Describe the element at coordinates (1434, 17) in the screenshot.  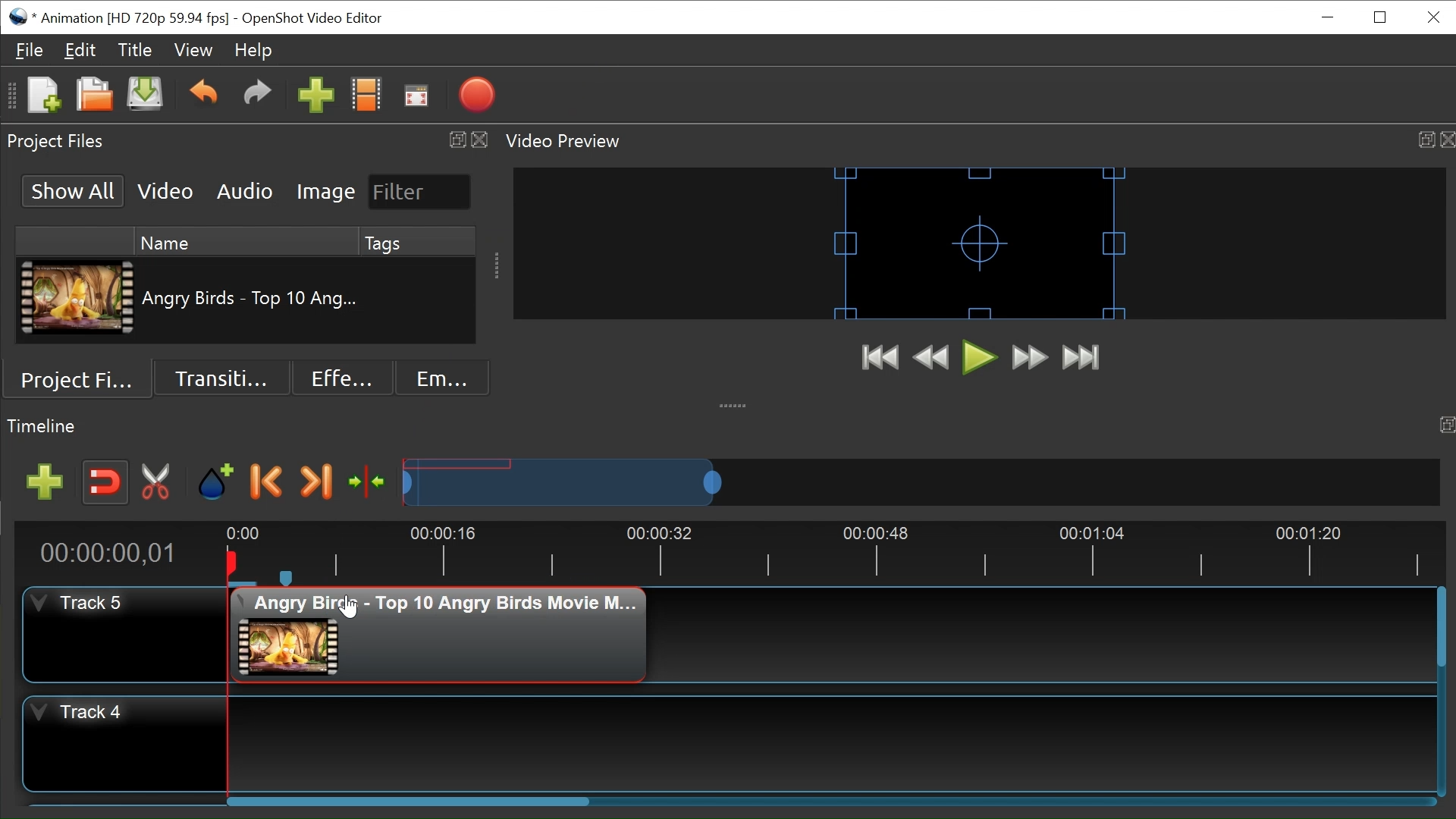
I see `Close` at that location.